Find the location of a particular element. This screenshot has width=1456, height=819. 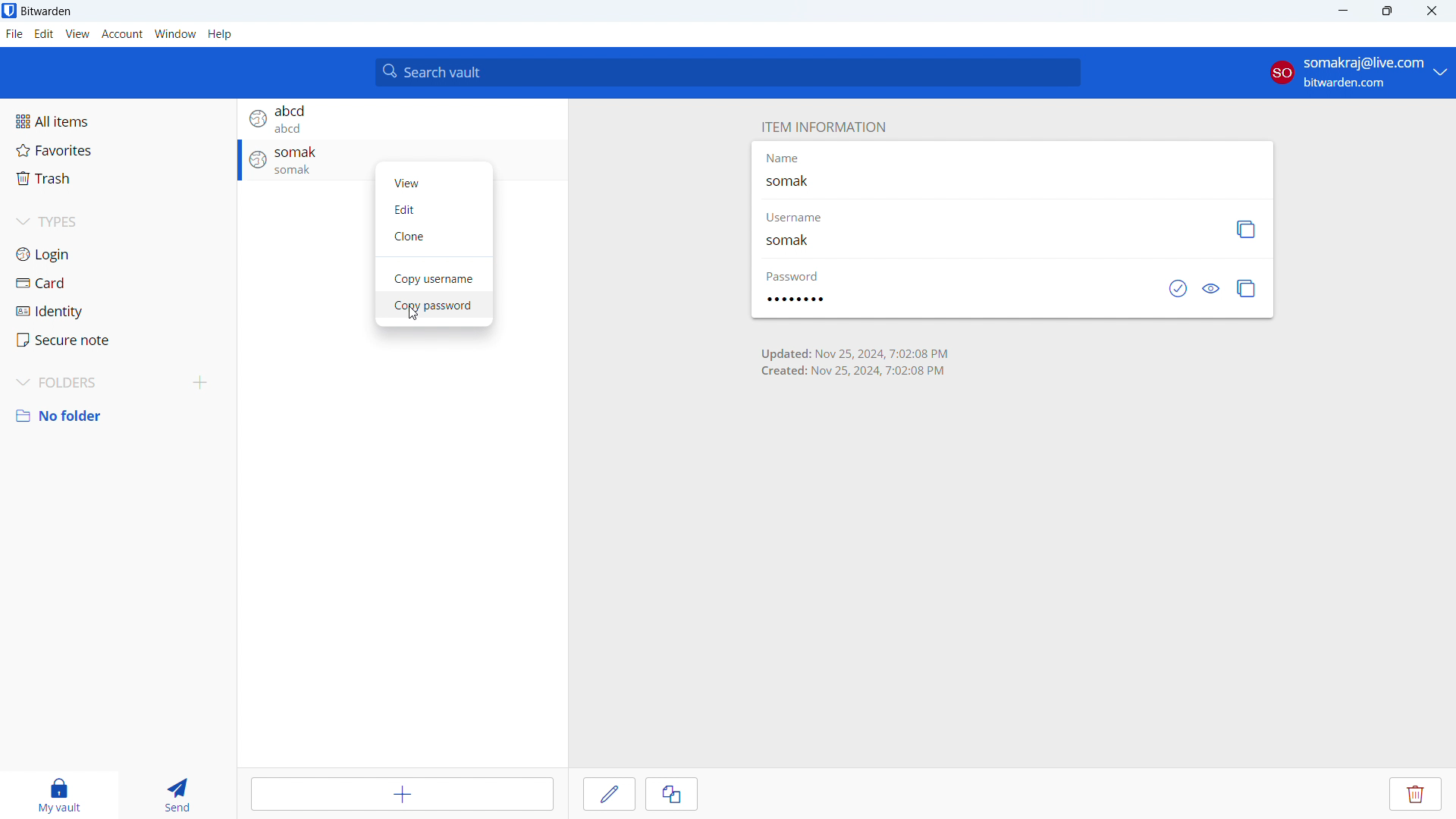

secure note is located at coordinates (117, 340).